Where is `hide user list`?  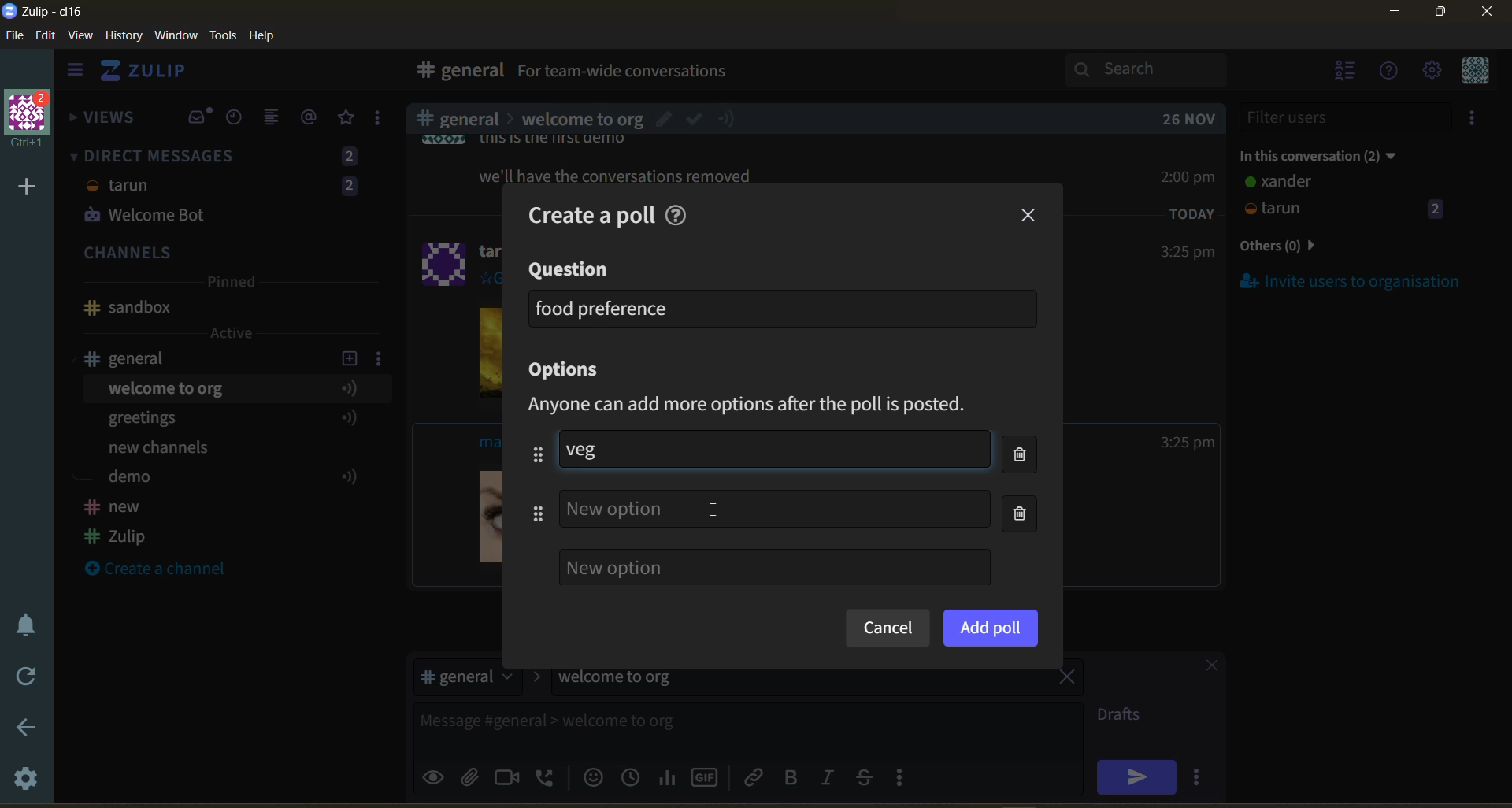
hide user list is located at coordinates (1346, 72).